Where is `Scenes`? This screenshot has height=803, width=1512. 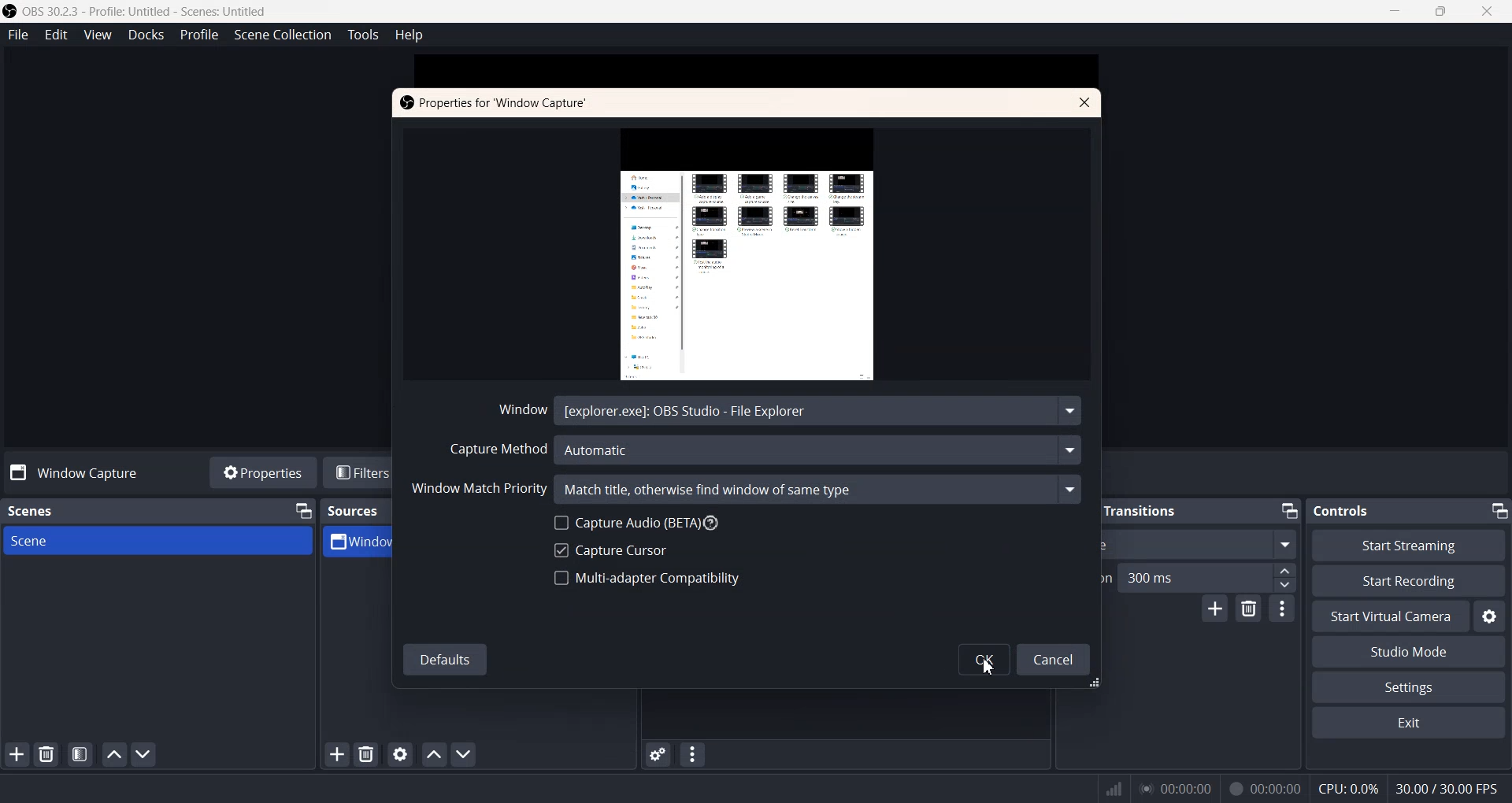
Scenes is located at coordinates (31, 511).